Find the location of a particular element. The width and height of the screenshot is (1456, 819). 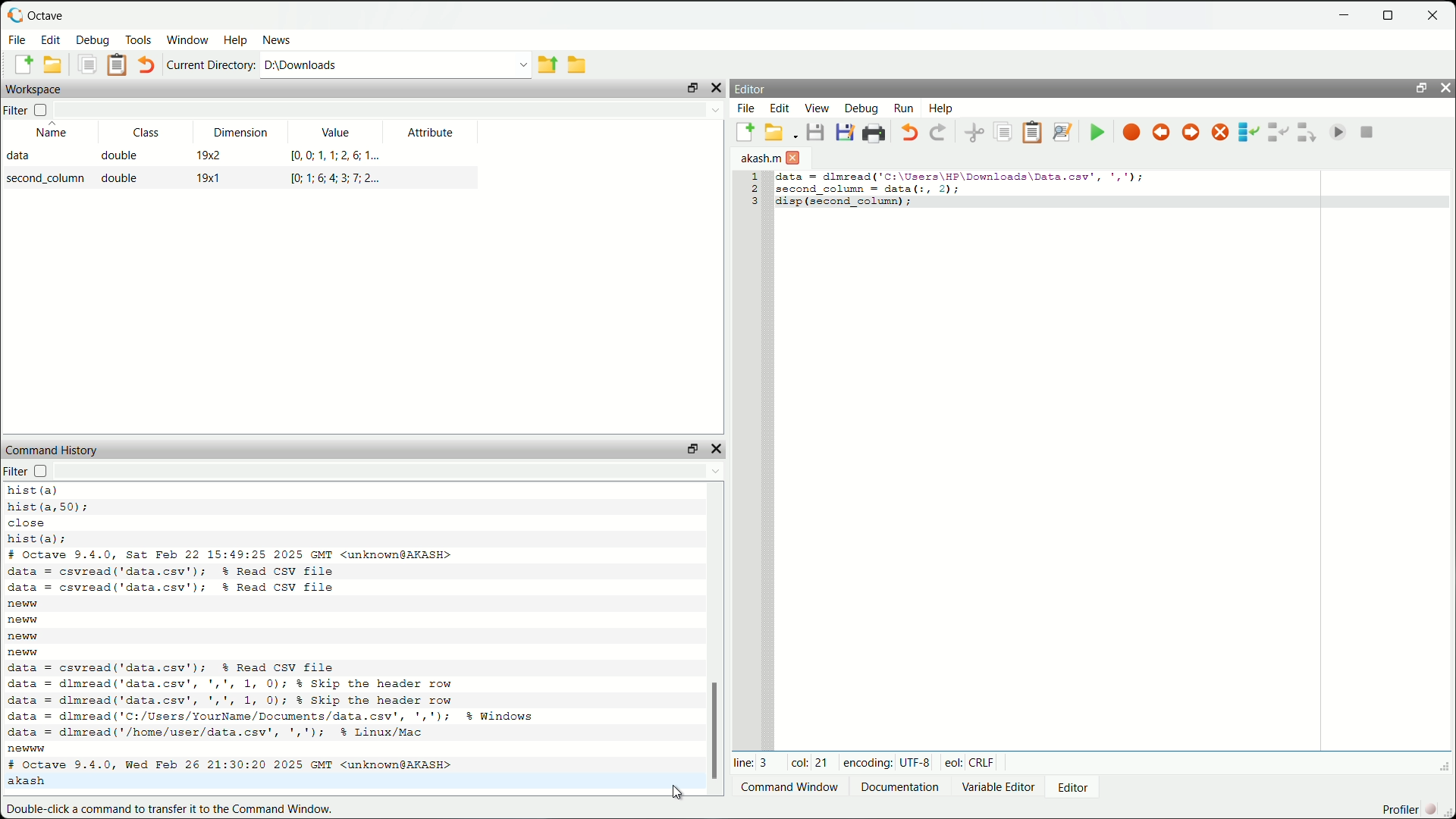

octave version and date is located at coordinates (268, 764).